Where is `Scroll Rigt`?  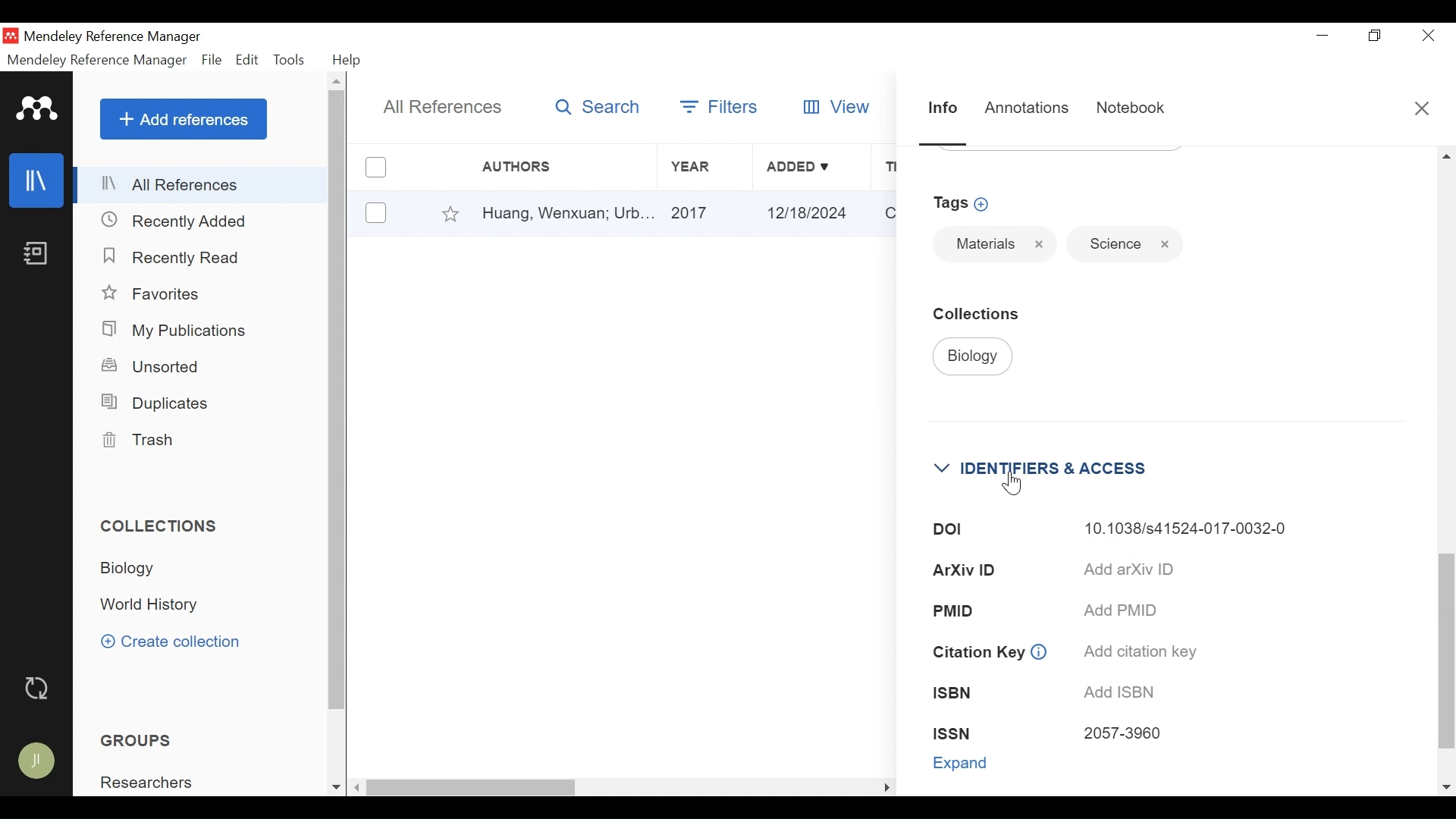 Scroll Rigt is located at coordinates (885, 789).